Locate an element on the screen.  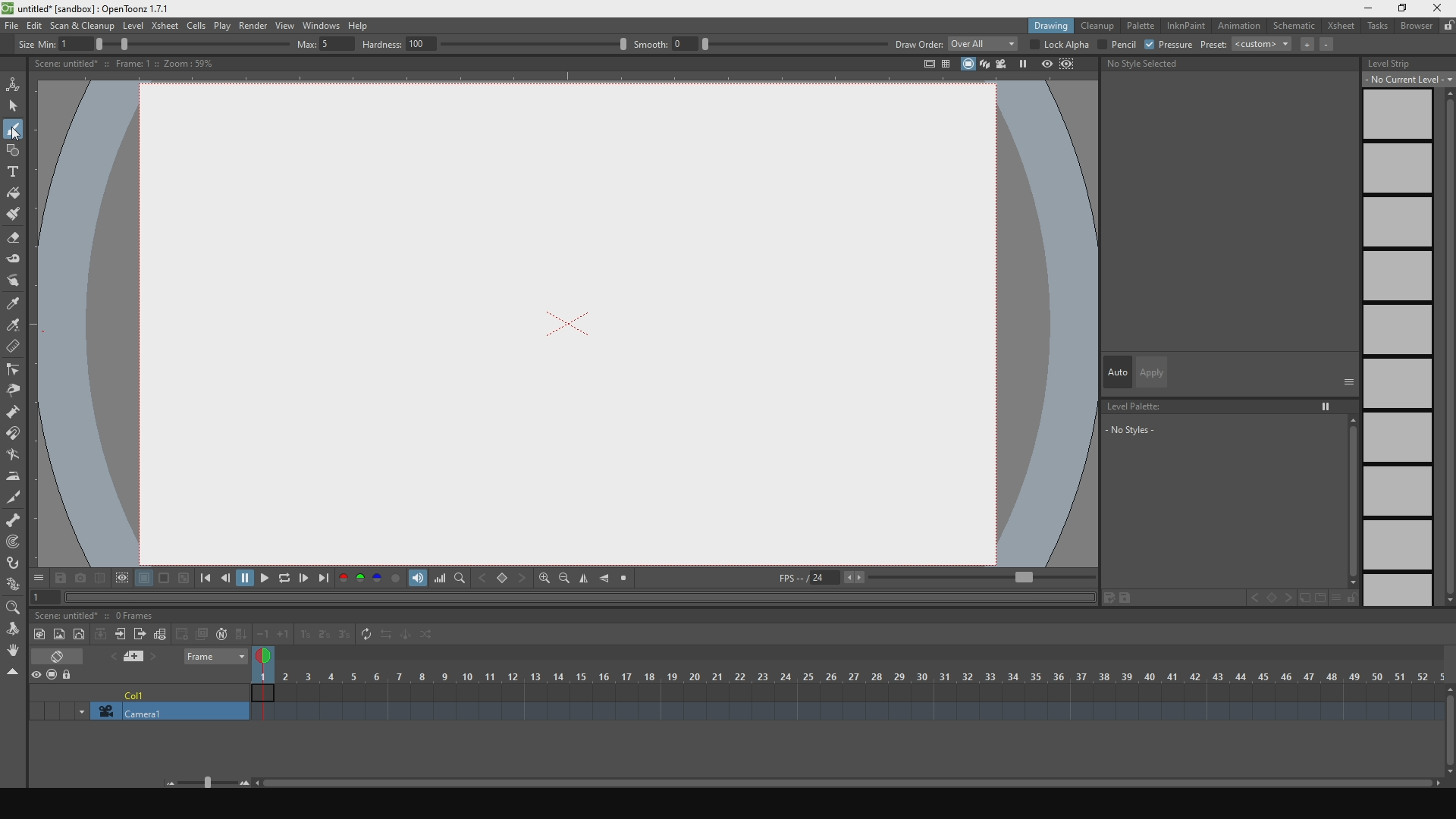
shape is located at coordinates (17, 149).